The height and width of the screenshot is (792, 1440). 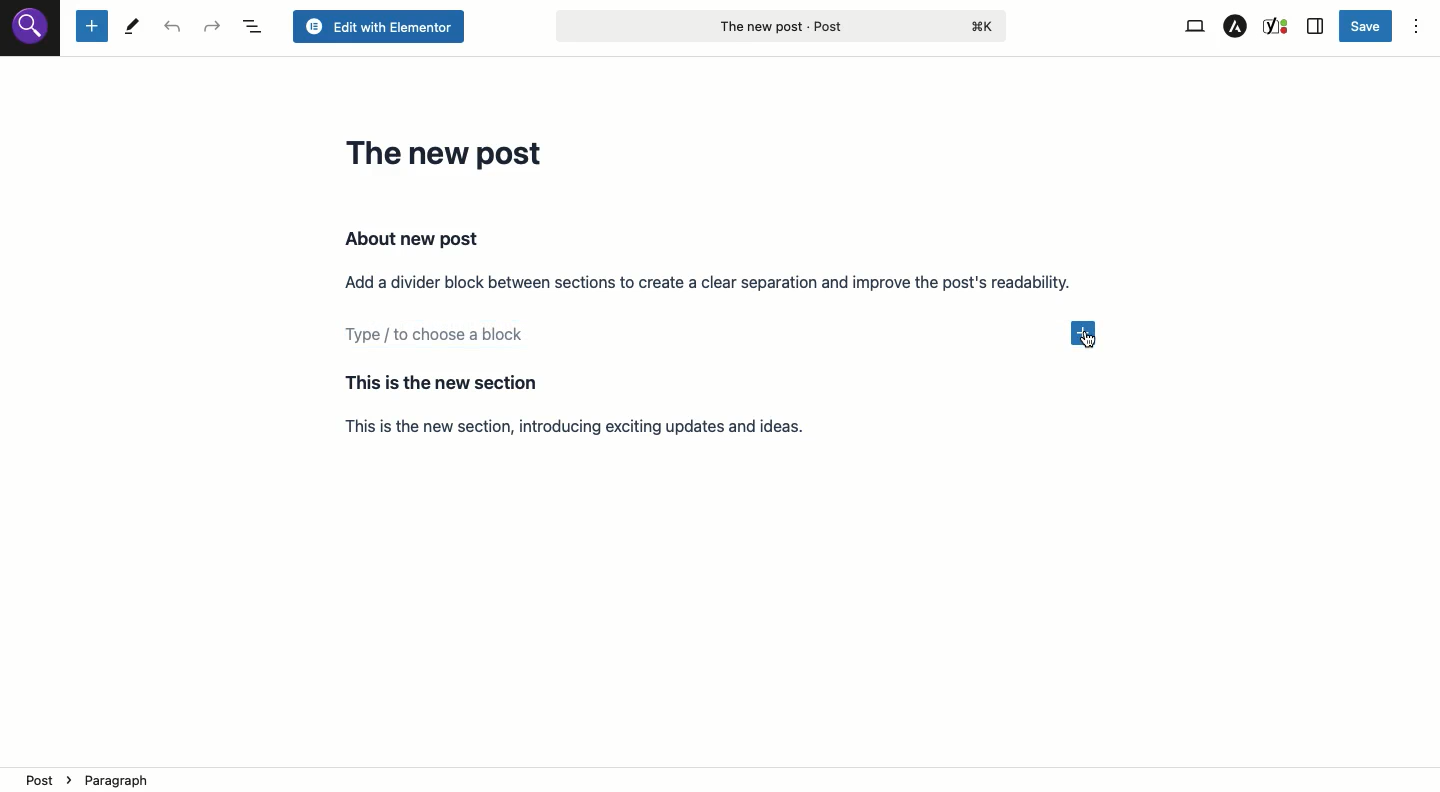 What do you see at coordinates (1089, 341) in the screenshot?
I see `cursor` at bounding box center [1089, 341].